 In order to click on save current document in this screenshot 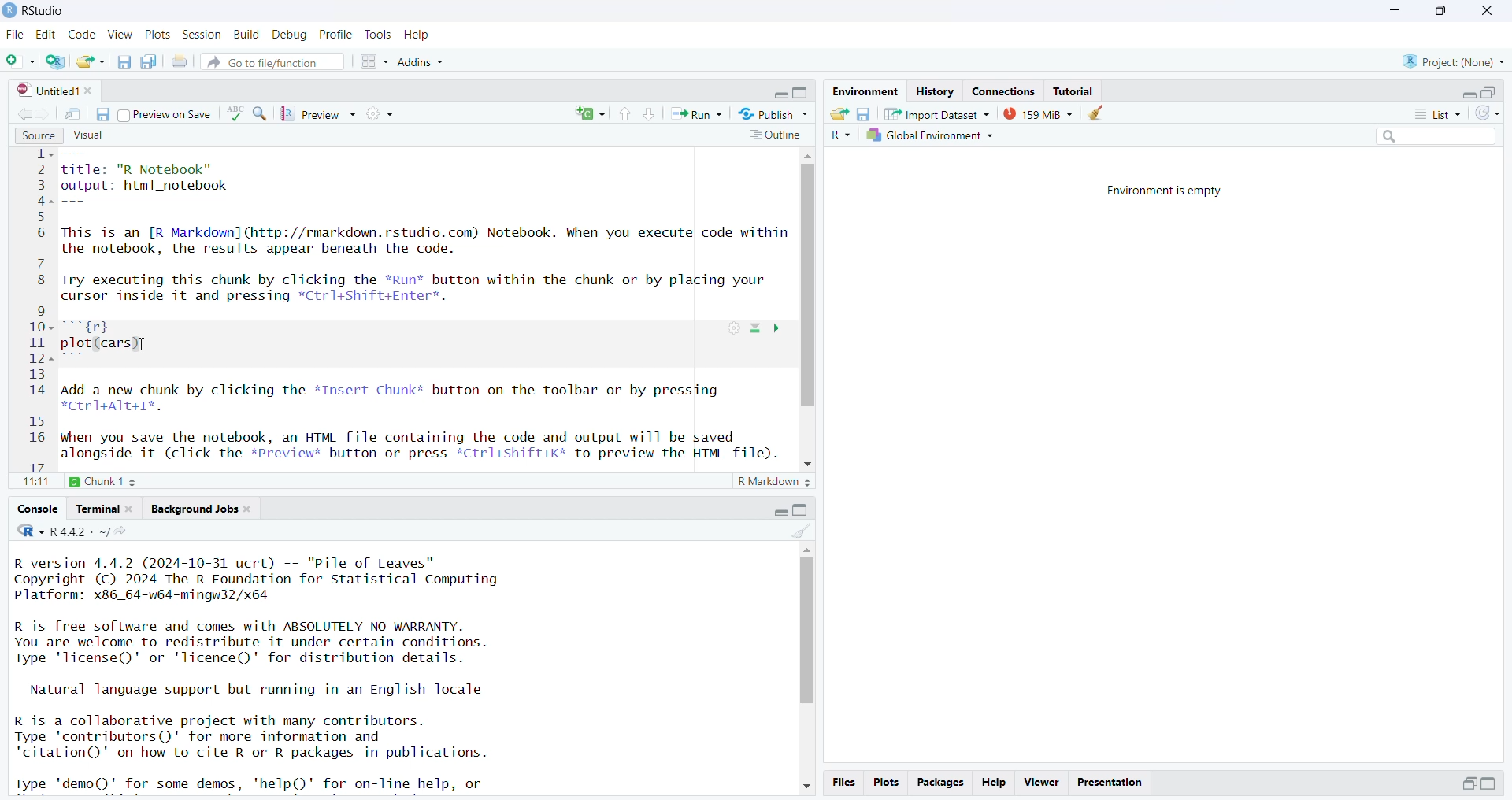, I will do `click(126, 61)`.